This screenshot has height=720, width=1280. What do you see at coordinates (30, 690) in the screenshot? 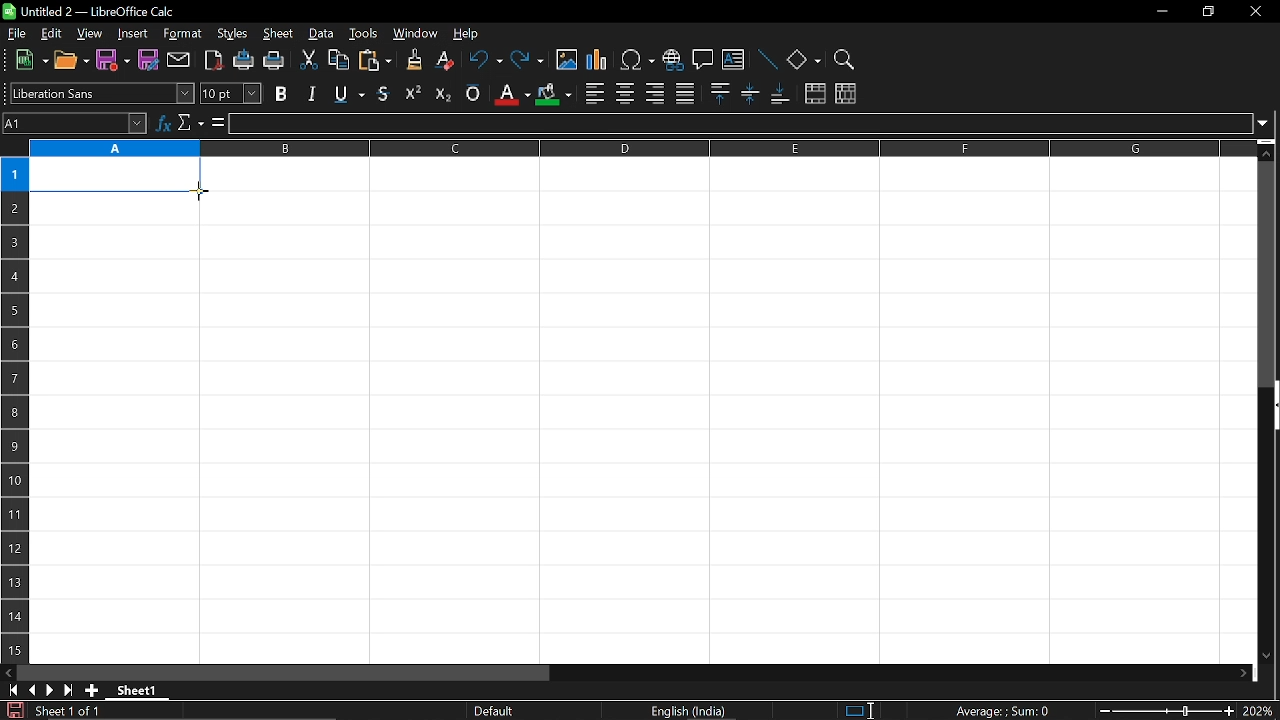
I see `previous sheet` at bounding box center [30, 690].